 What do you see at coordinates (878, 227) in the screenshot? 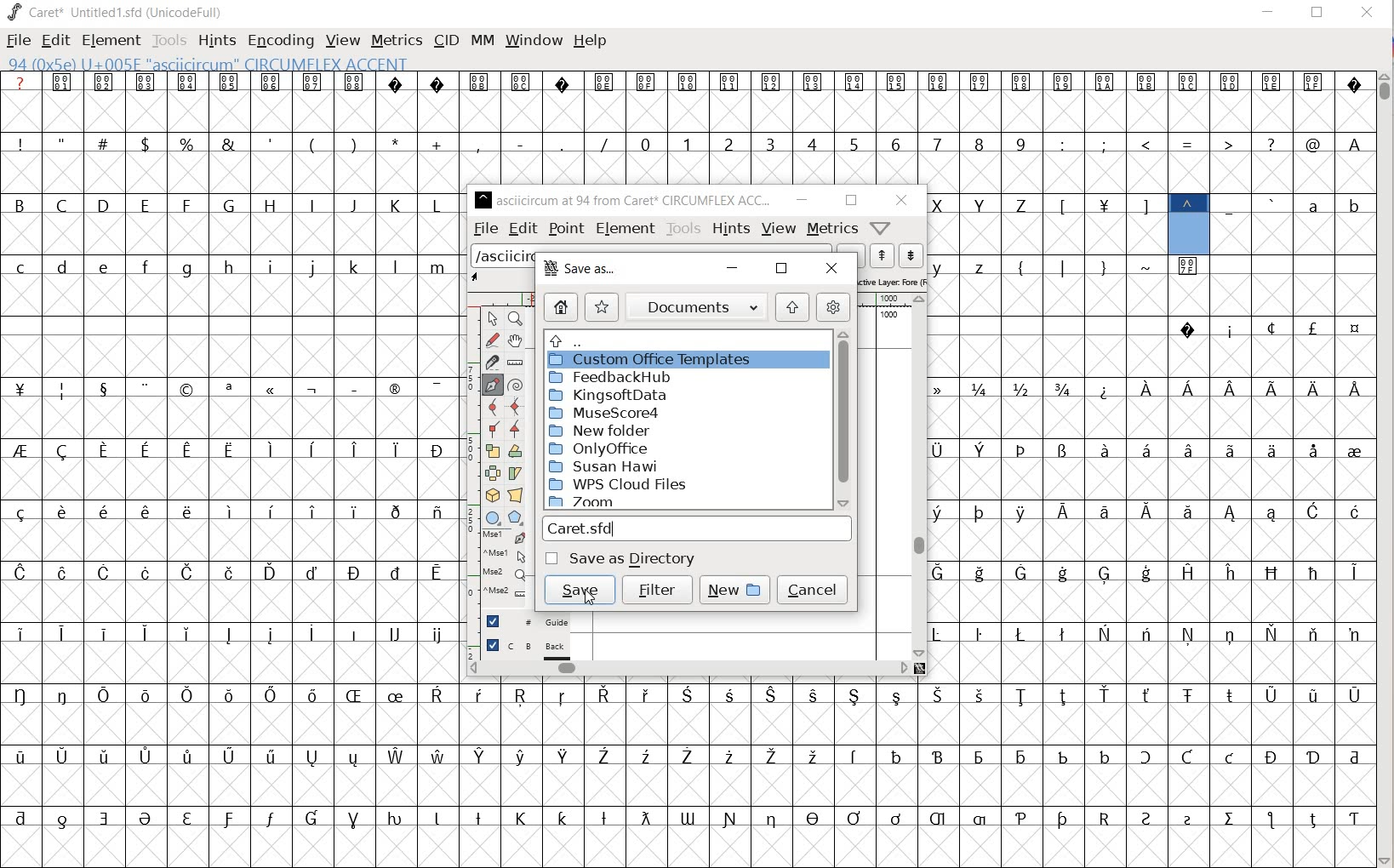
I see `window/help` at bounding box center [878, 227].